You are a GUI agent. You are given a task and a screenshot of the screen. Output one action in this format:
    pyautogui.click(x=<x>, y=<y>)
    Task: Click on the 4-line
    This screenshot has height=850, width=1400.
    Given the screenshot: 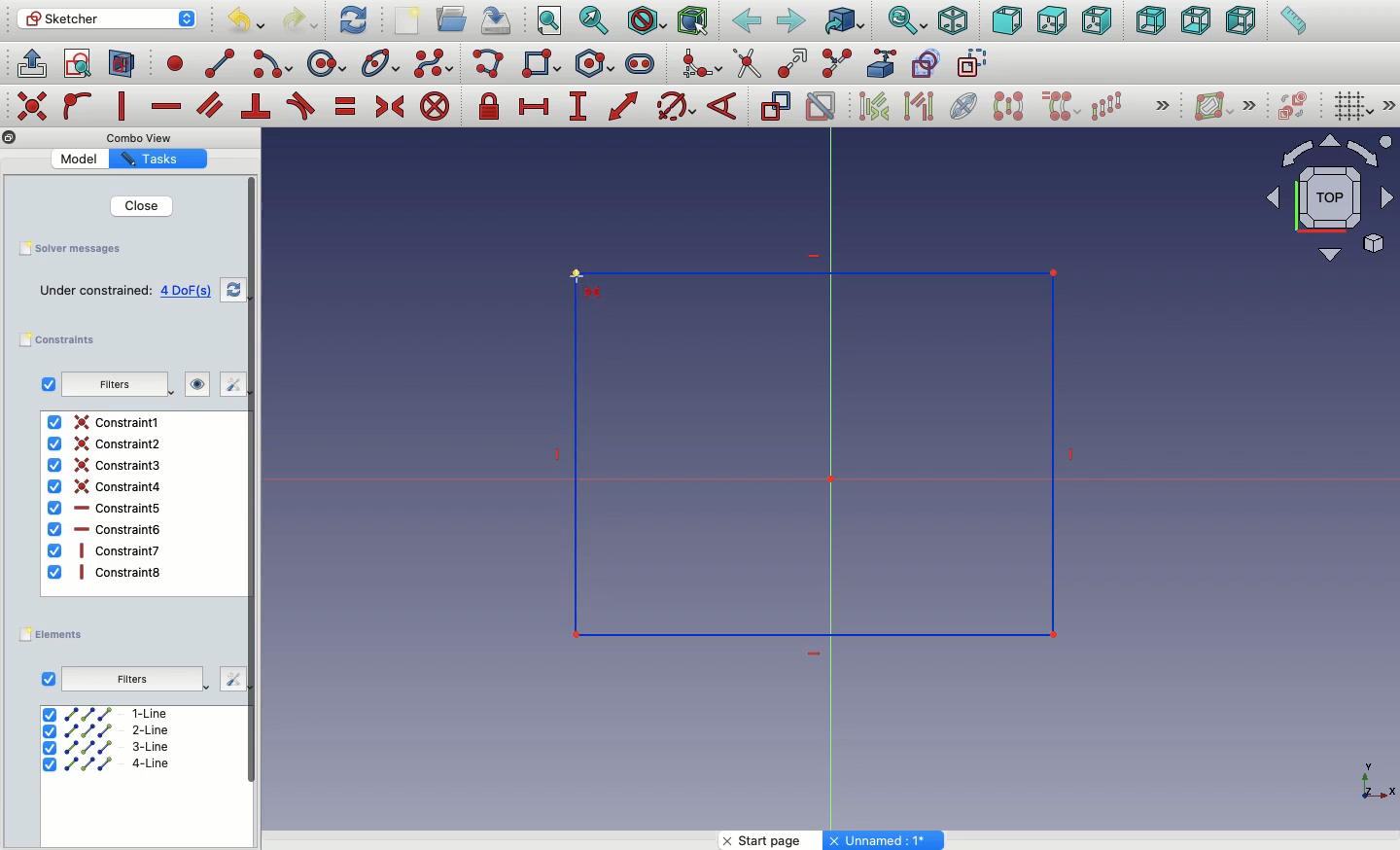 What is the action you would take?
    pyautogui.click(x=107, y=763)
    